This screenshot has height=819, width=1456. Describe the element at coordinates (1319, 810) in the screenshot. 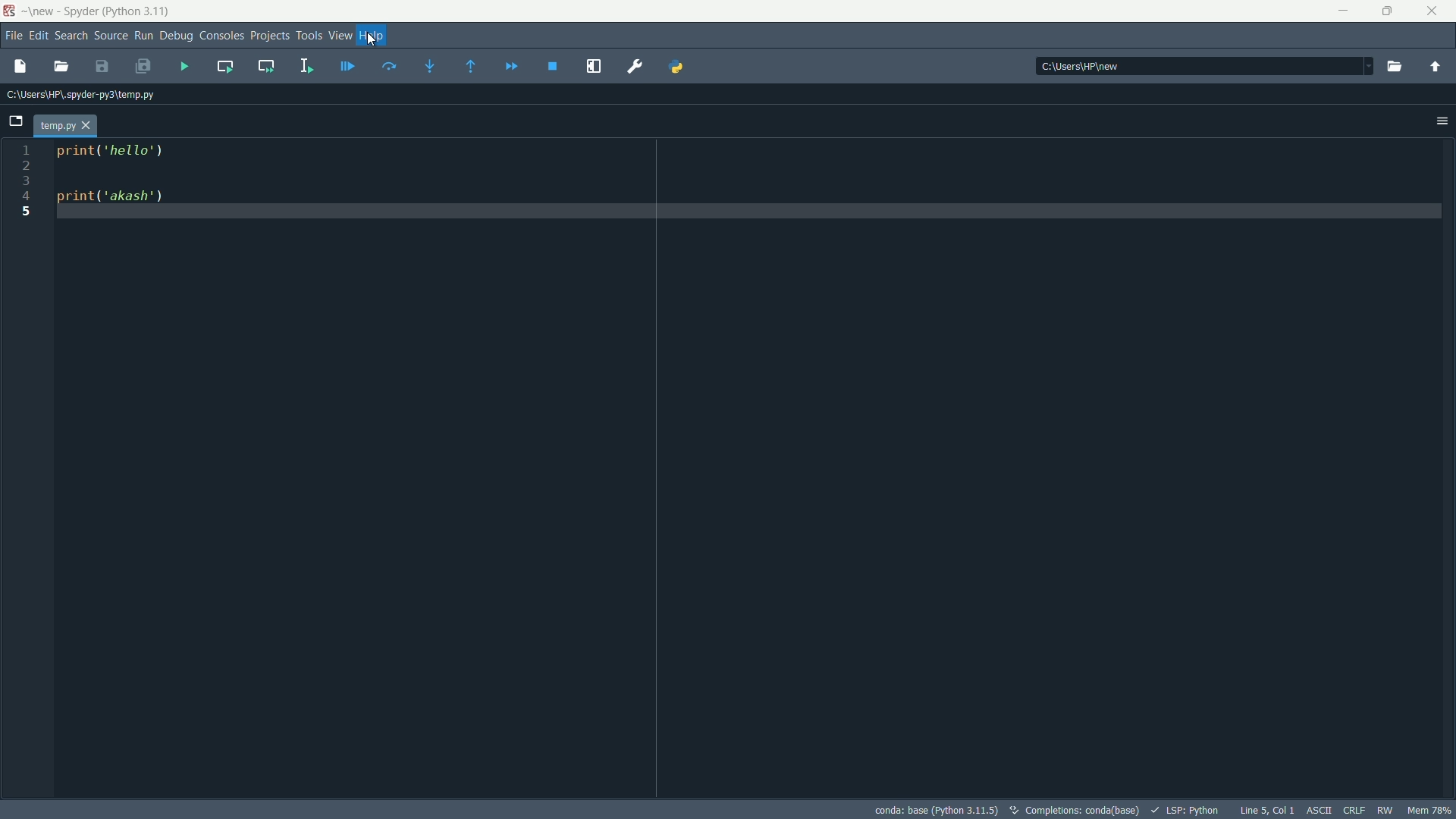

I see `ascii` at that location.